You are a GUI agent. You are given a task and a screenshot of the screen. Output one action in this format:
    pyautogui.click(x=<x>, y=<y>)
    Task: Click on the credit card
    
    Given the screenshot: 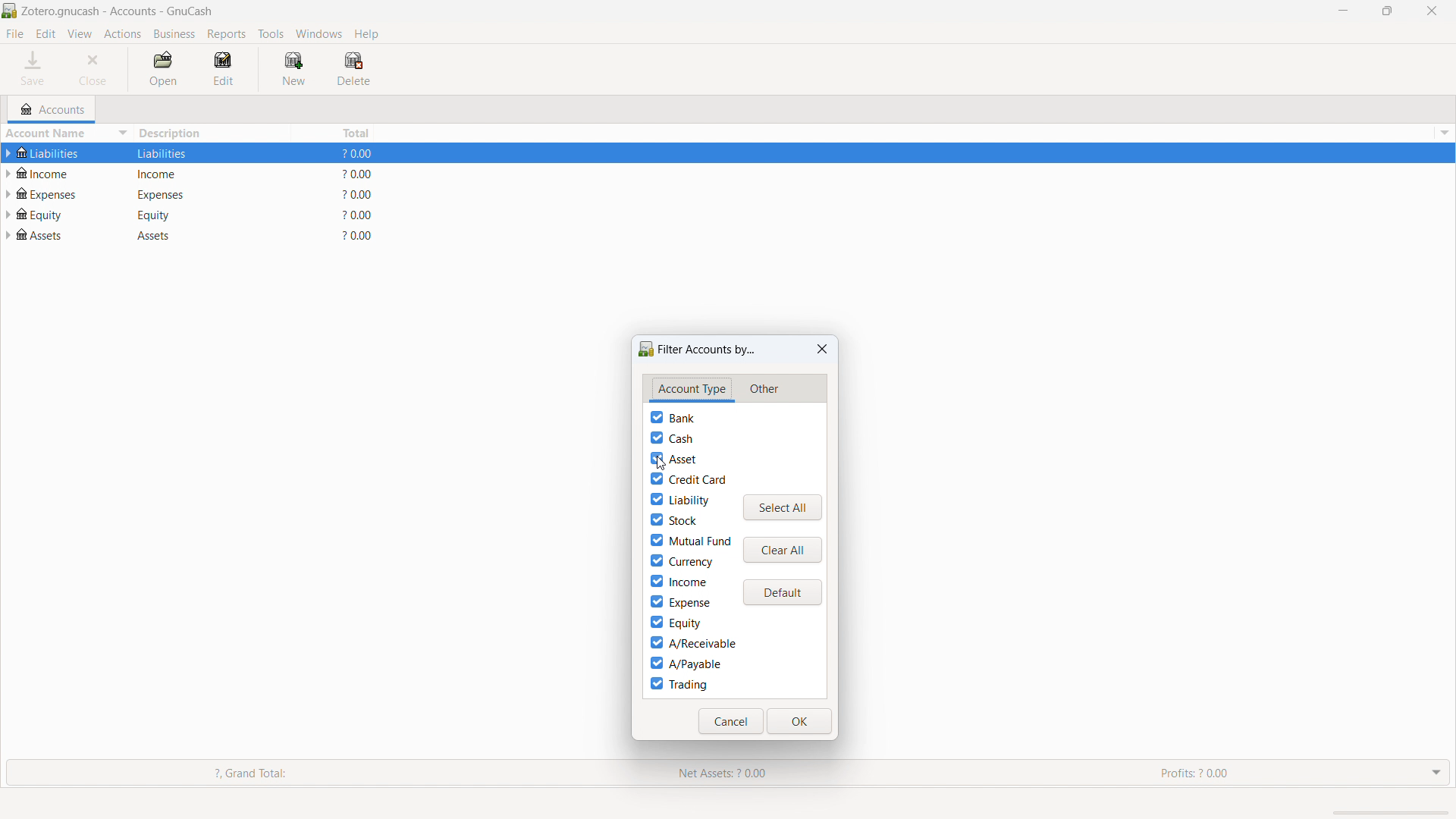 What is the action you would take?
    pyautogui.click(x=689, y=479)
    